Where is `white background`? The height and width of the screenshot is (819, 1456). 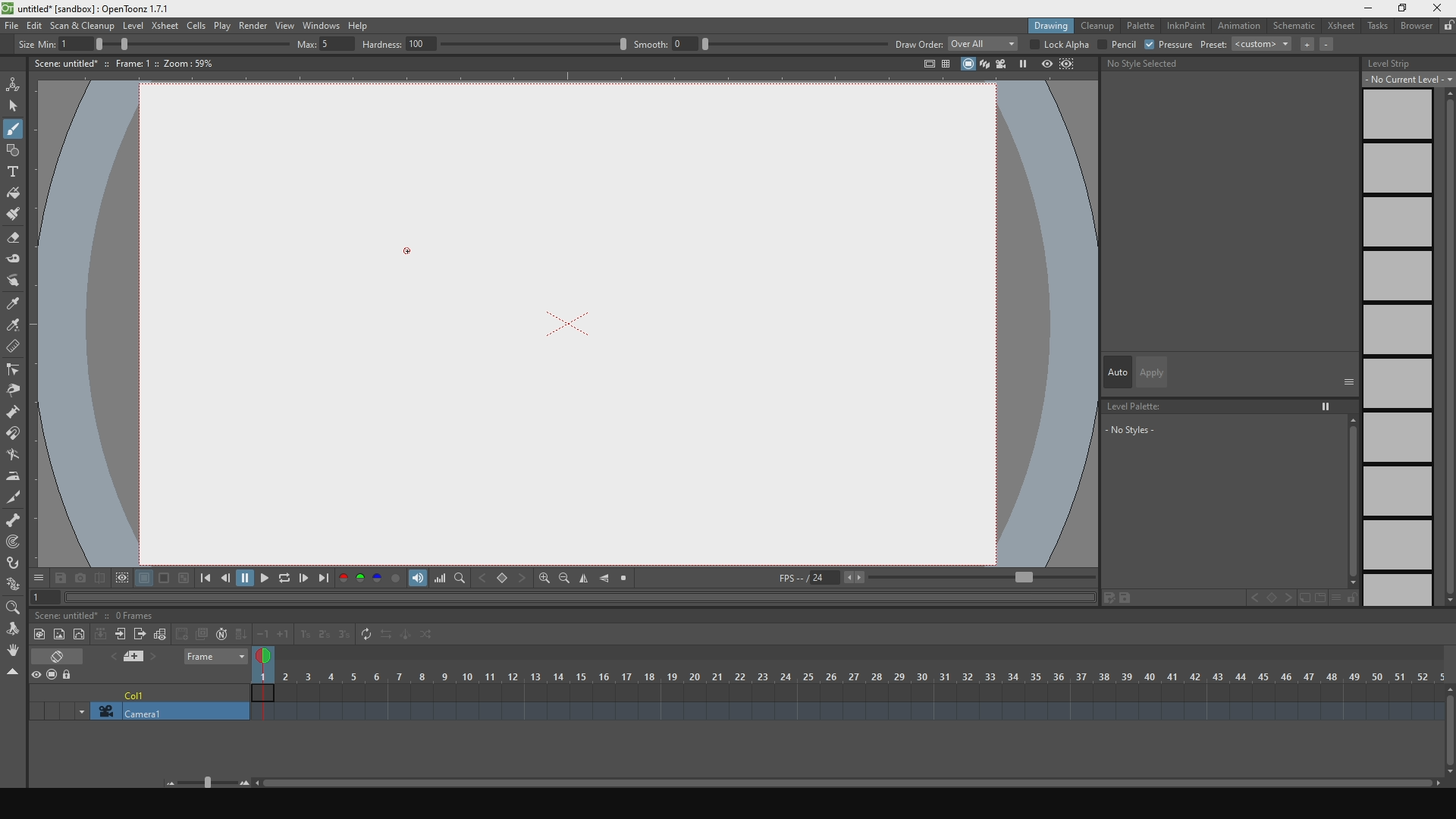 white background is located at coordinates (144, 580).